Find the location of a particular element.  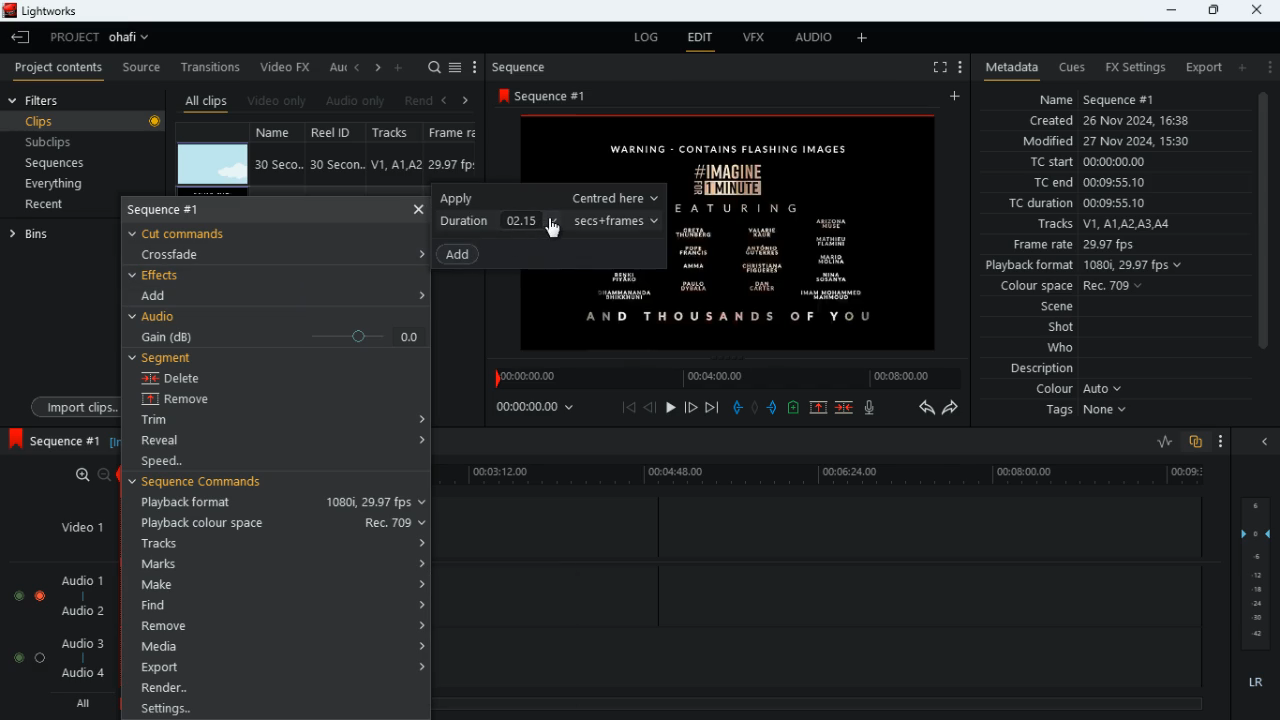

text is located at coordinates (622, 306).